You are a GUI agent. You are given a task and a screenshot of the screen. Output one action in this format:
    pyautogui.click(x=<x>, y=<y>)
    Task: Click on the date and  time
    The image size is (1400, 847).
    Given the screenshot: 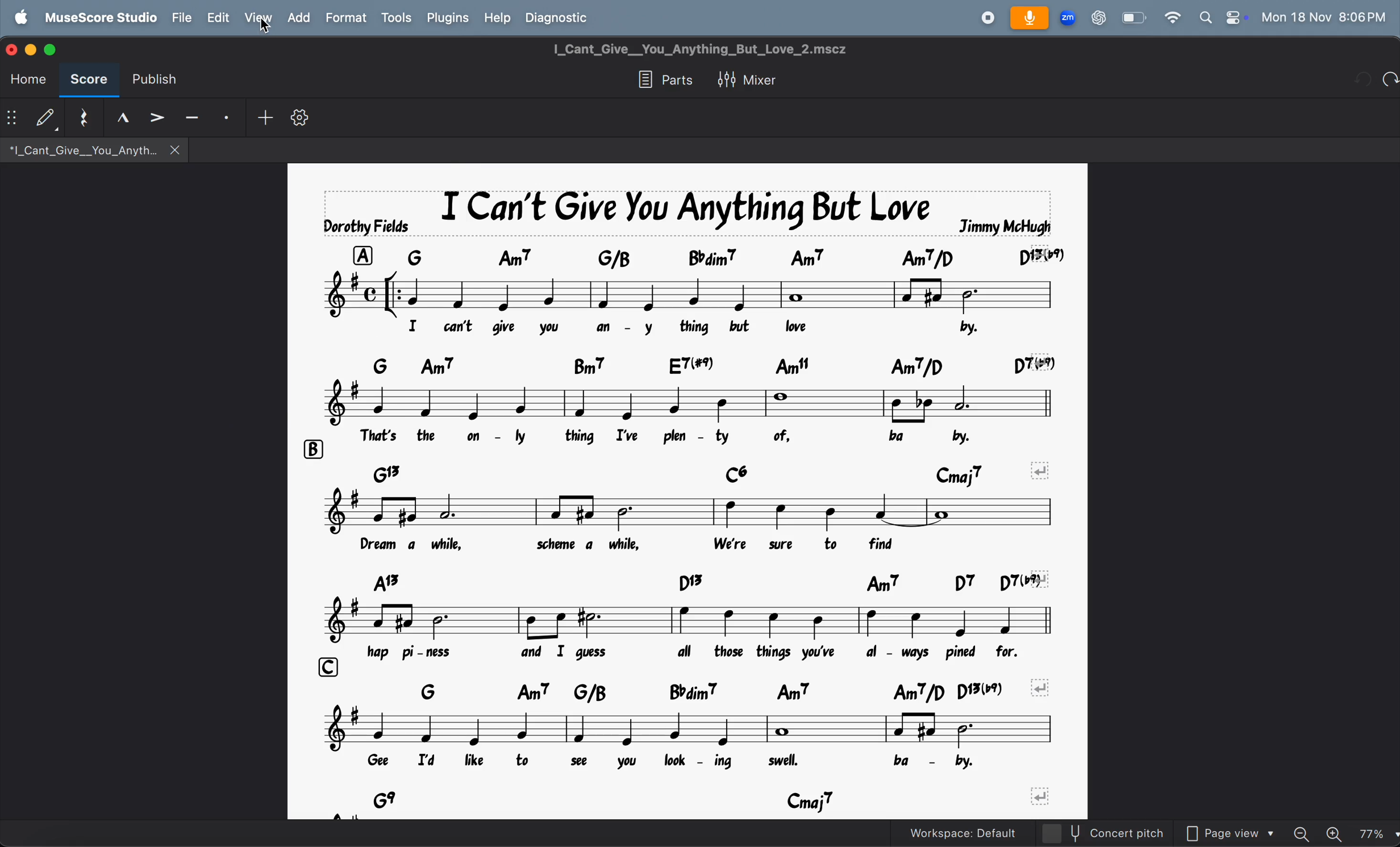 What is the action you would take?
    pyautogui.click(x=1326, y=17)
    